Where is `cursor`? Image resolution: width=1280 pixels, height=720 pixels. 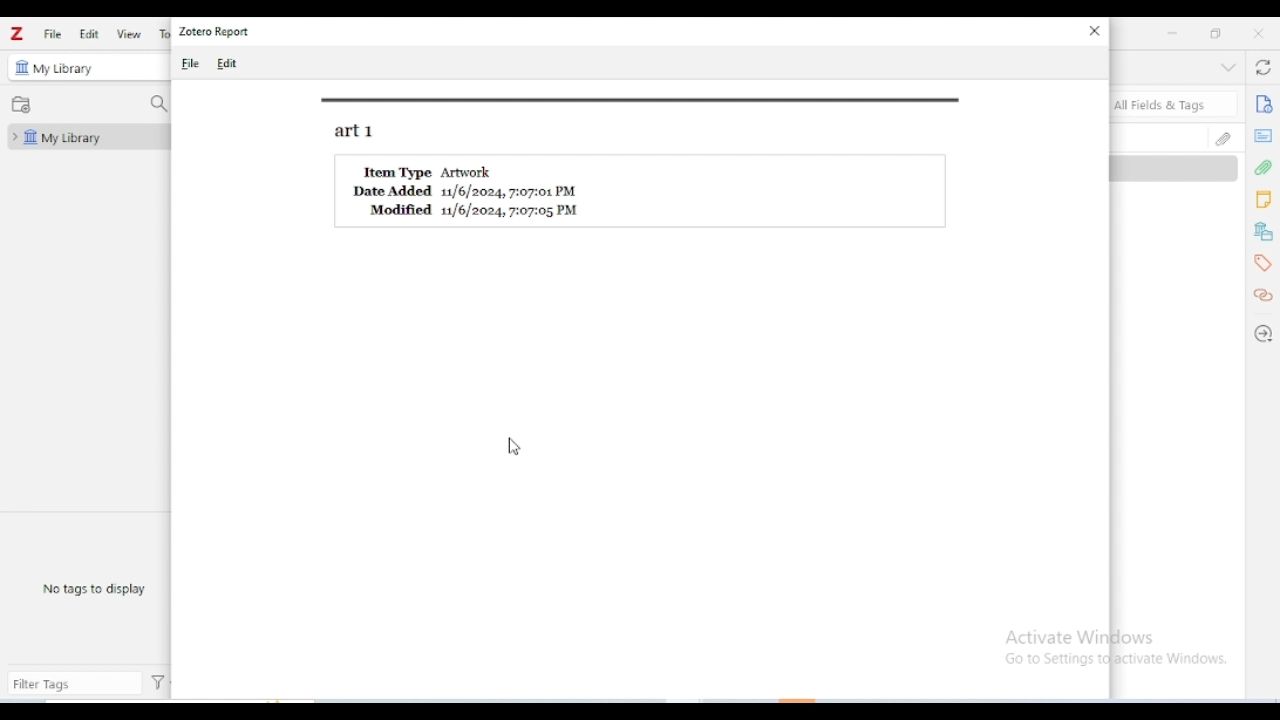 cursor is located at coordinates (516, 447).